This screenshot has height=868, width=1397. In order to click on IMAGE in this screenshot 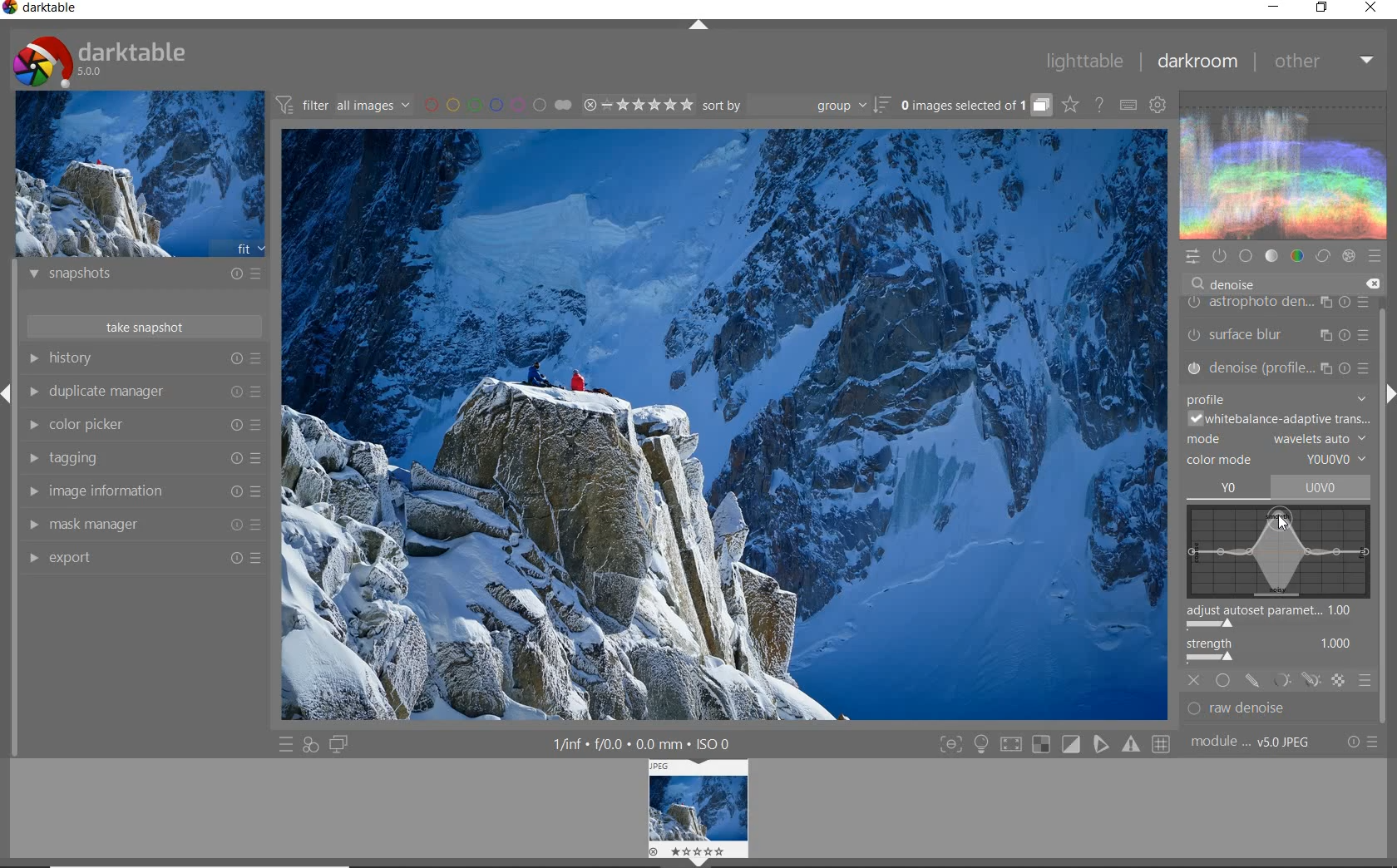, I will do `click(700, 812)`.